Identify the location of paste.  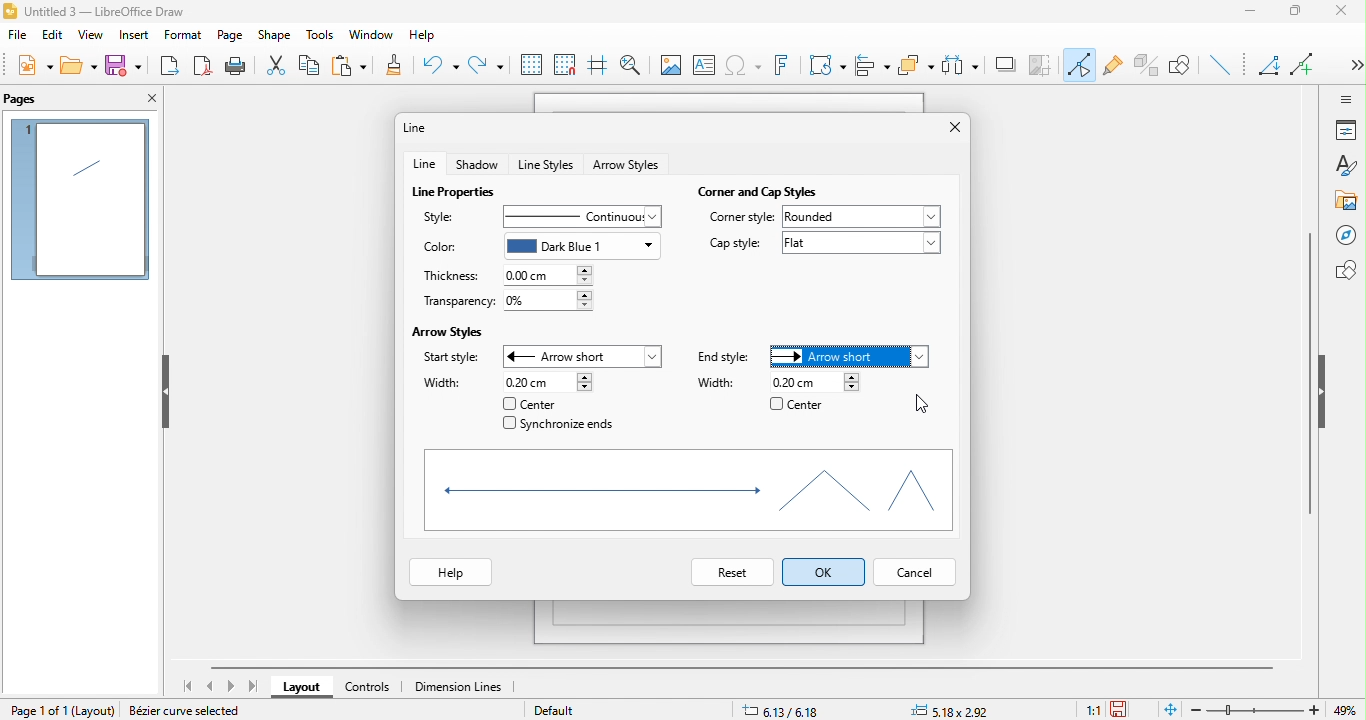
(355, 66).